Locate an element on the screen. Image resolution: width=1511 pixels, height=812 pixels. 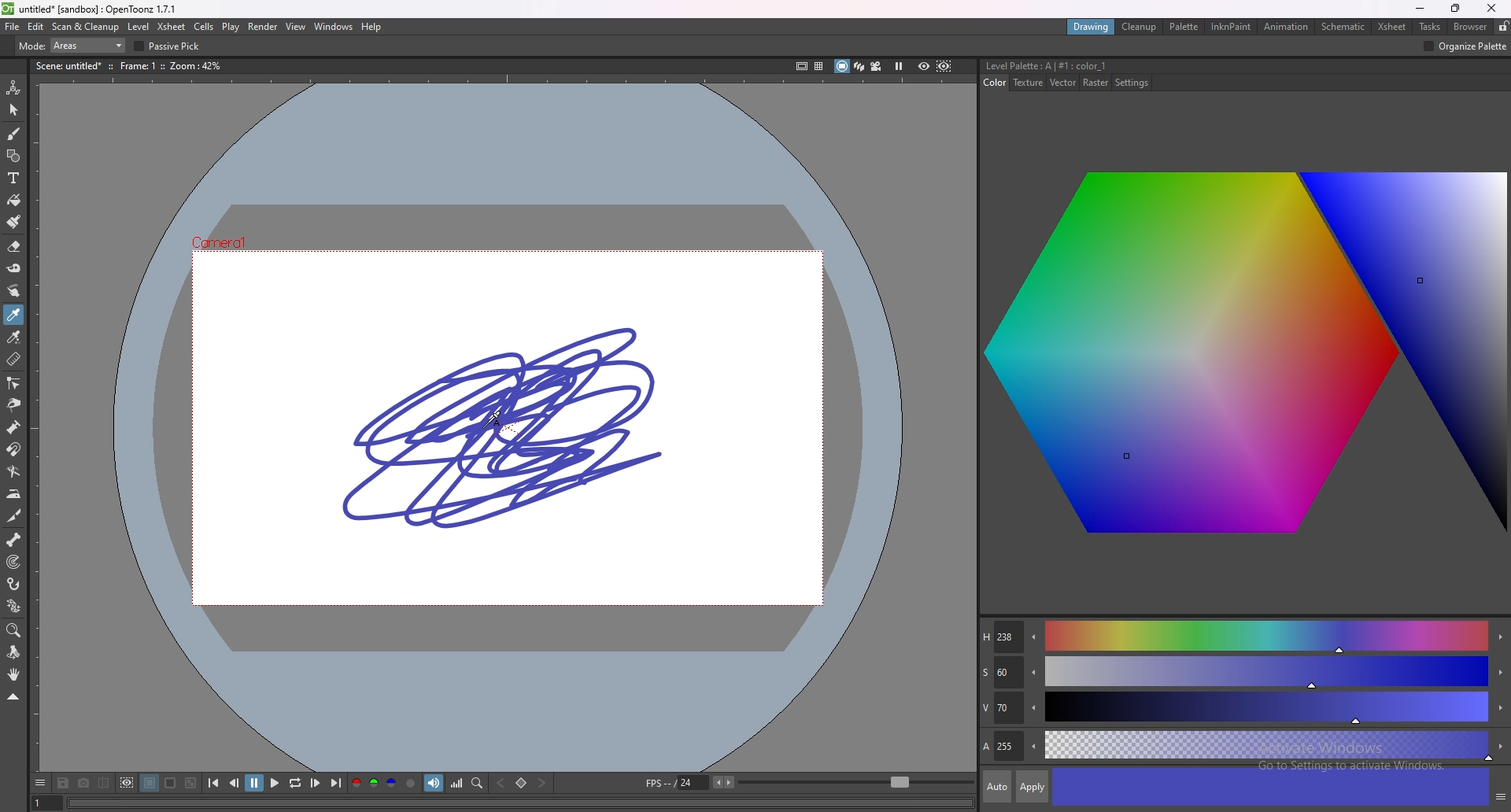
cells is located at coordinates (204, 27).